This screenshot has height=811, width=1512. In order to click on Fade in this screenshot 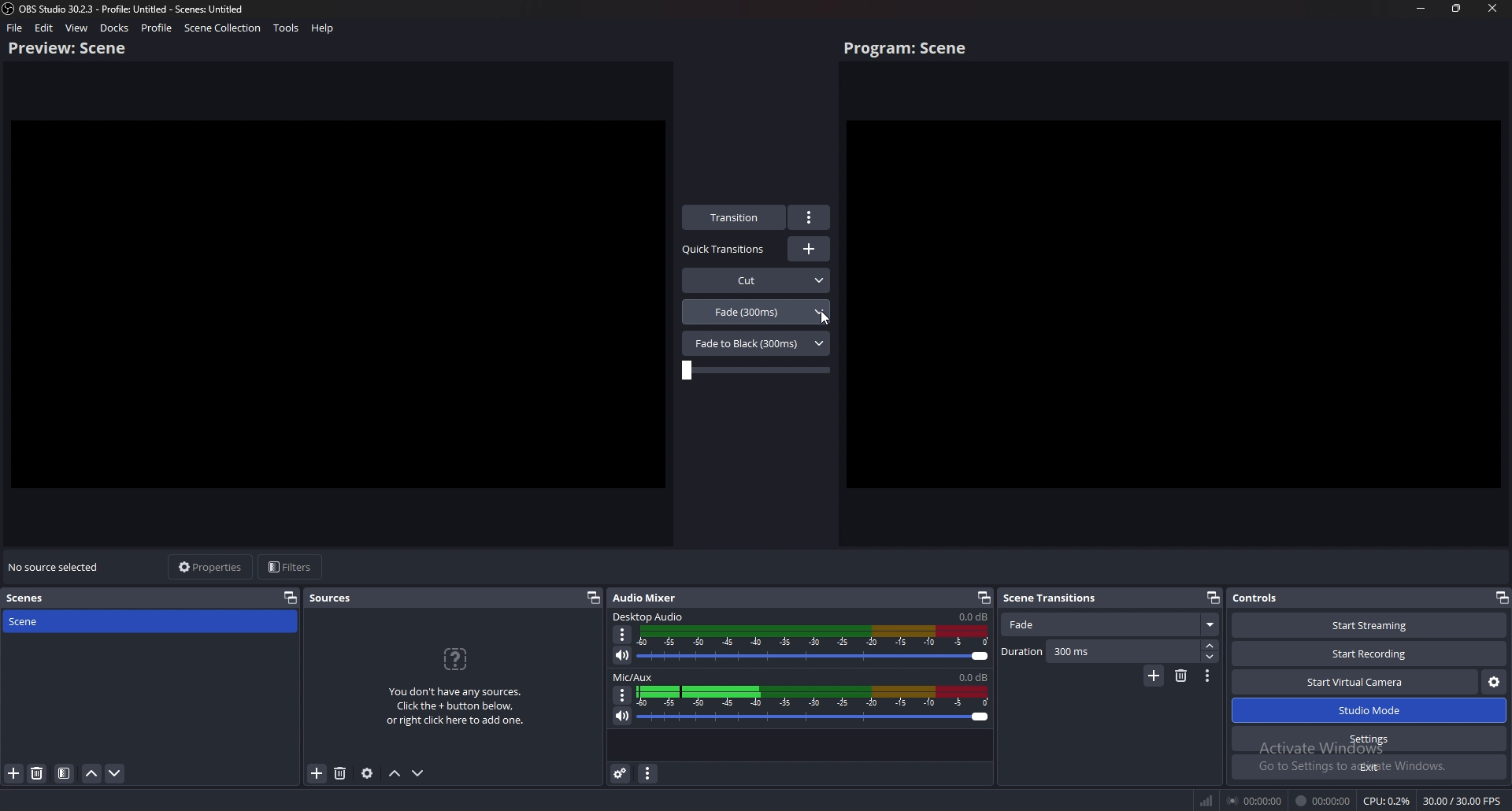, I will do `click(1112, 625)`.